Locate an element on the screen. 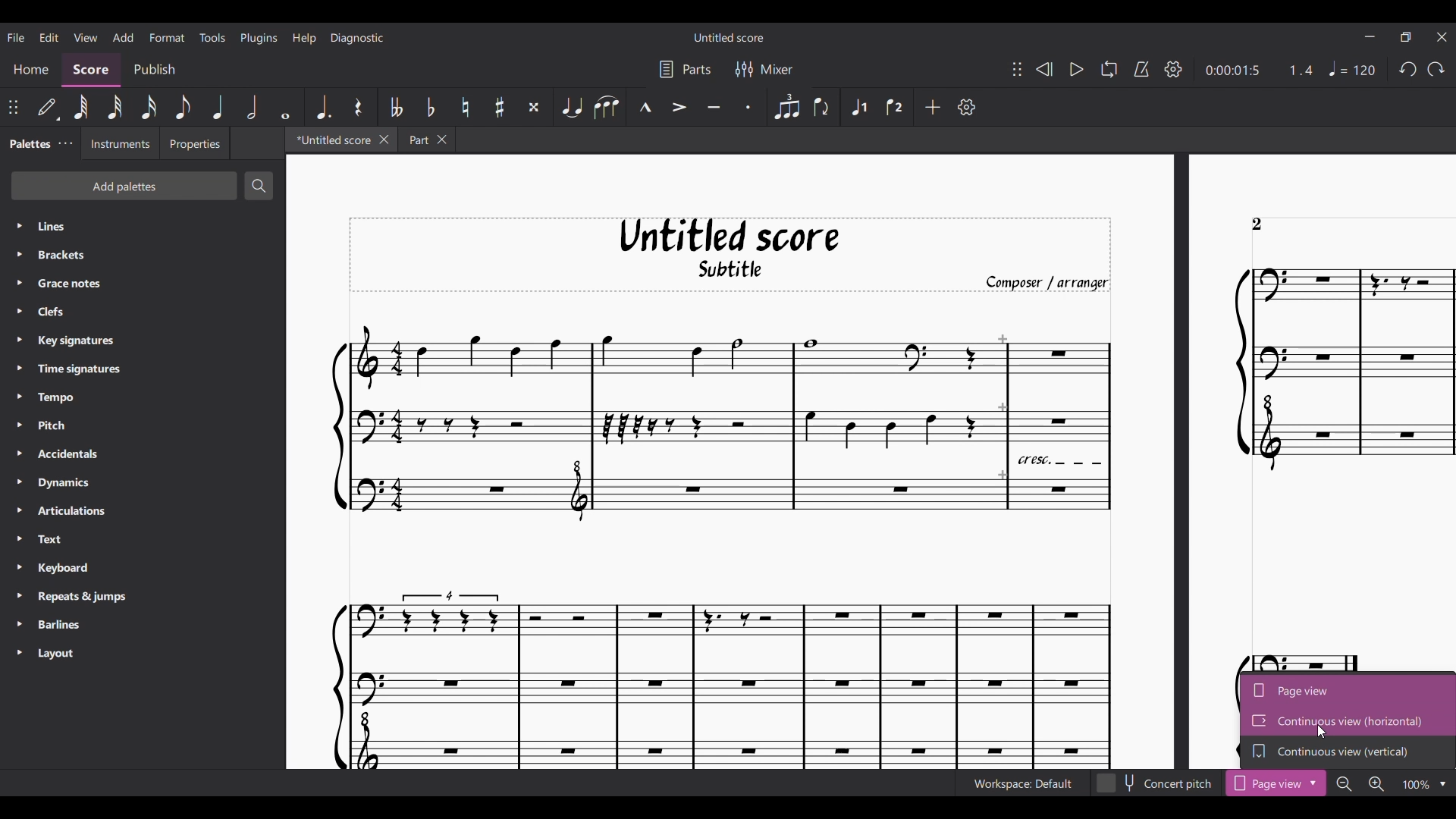 The image size is (1456, 819). Zoom out is located at coordinates (1344, 785).